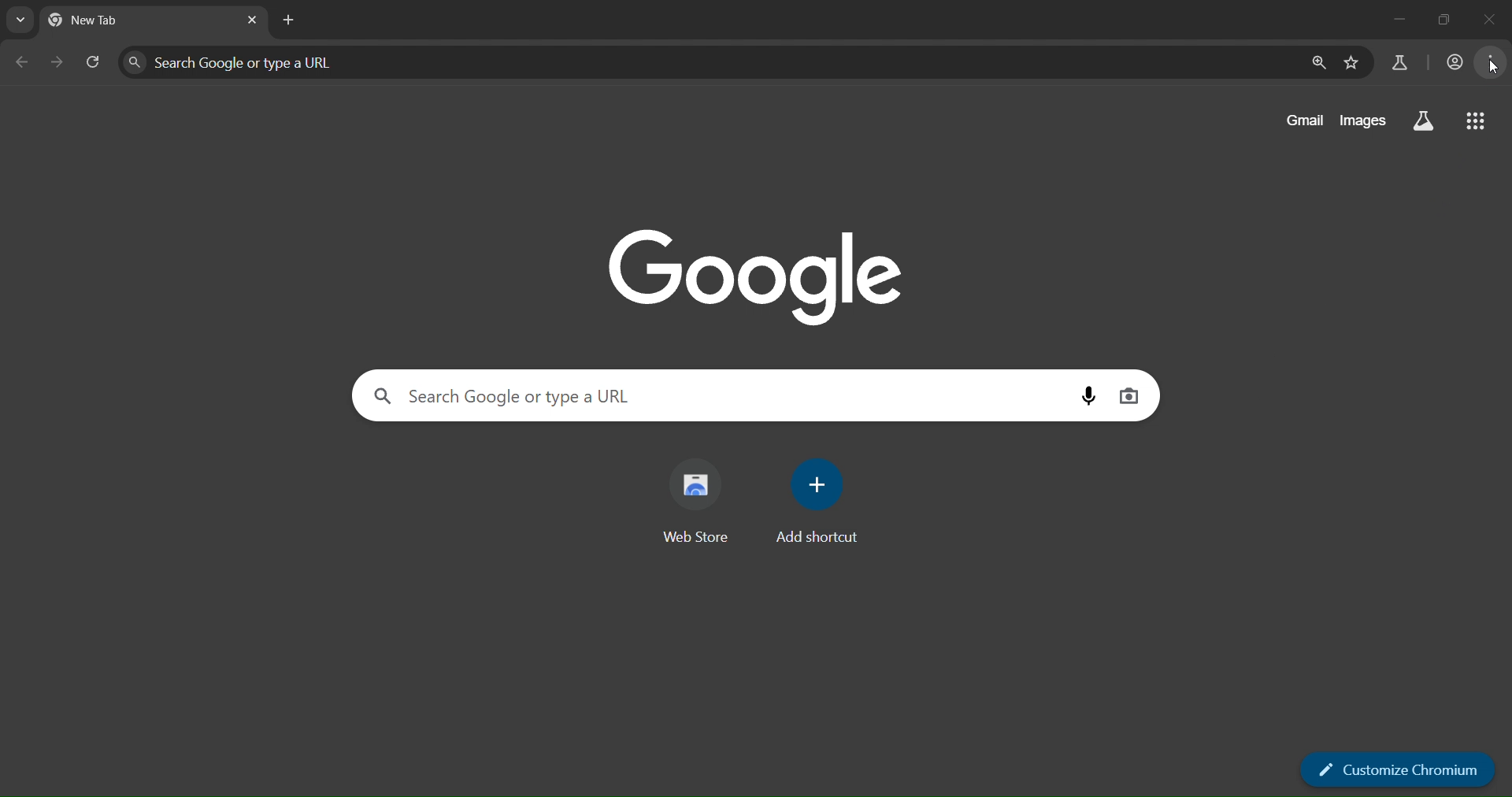  I want to click on voice search , so click(1084, 395).